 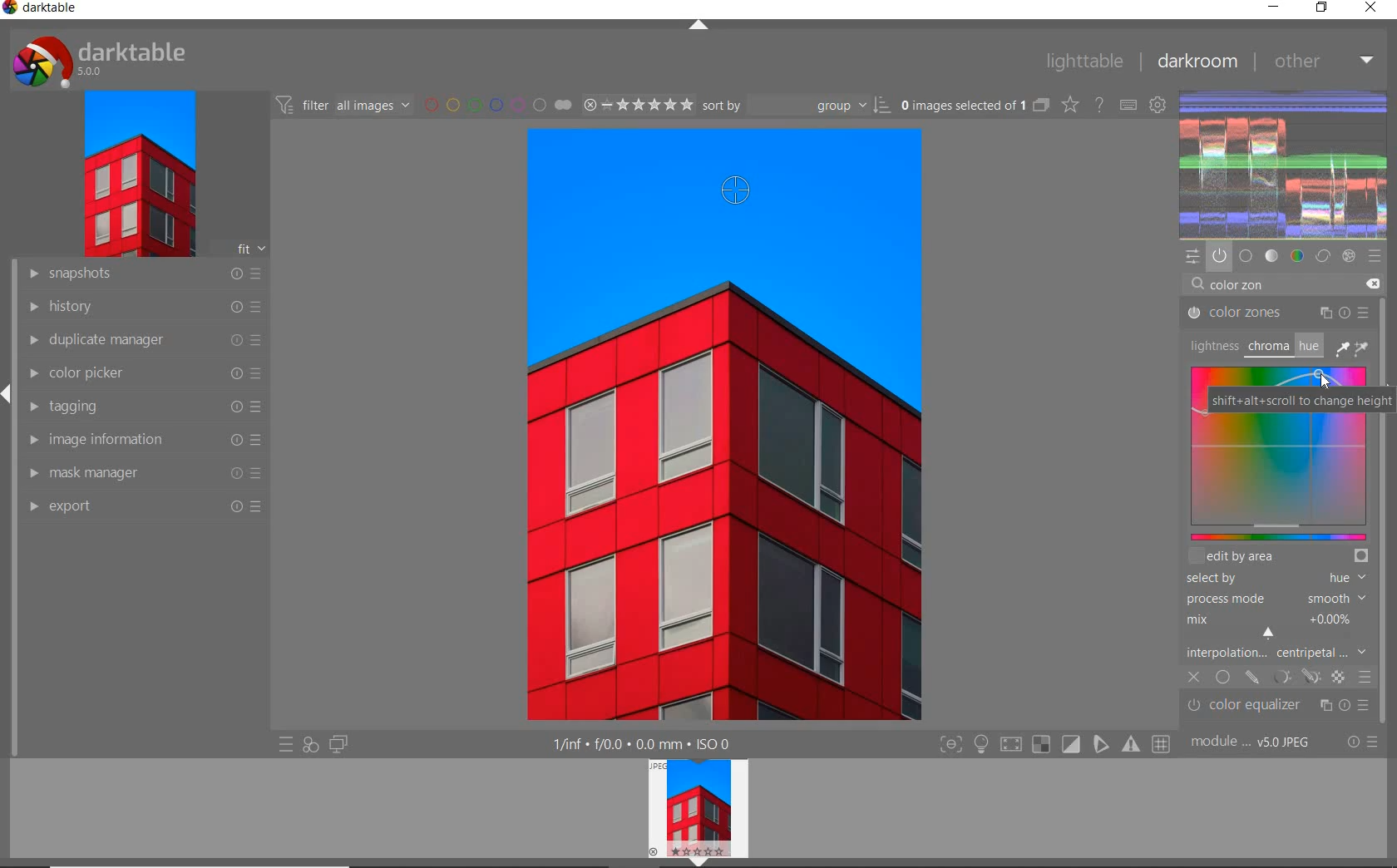 I want to click on color equalizer, so click(x=1280, y=703).